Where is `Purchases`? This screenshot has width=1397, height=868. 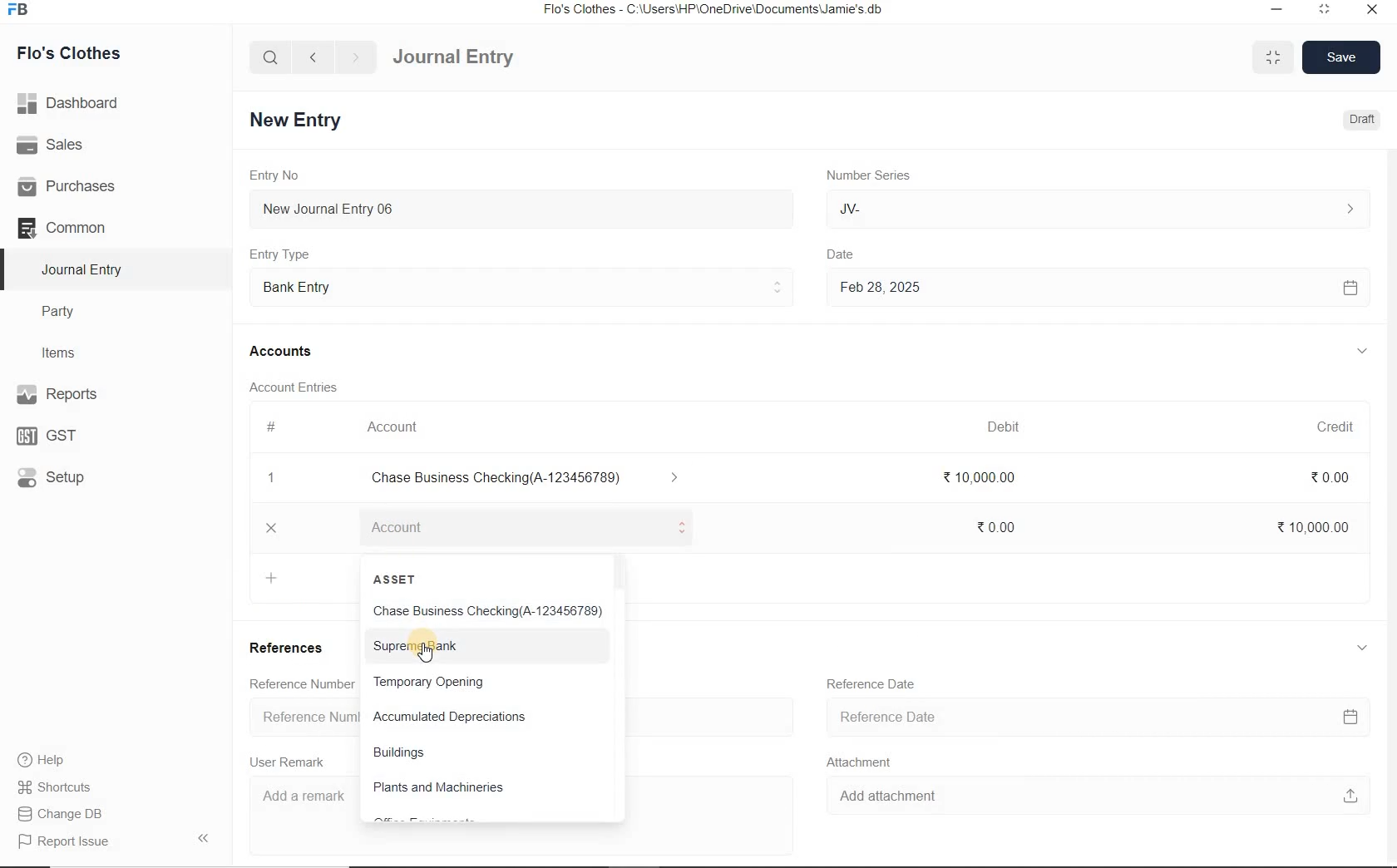 Purchases is located at coordinates (74, 185).